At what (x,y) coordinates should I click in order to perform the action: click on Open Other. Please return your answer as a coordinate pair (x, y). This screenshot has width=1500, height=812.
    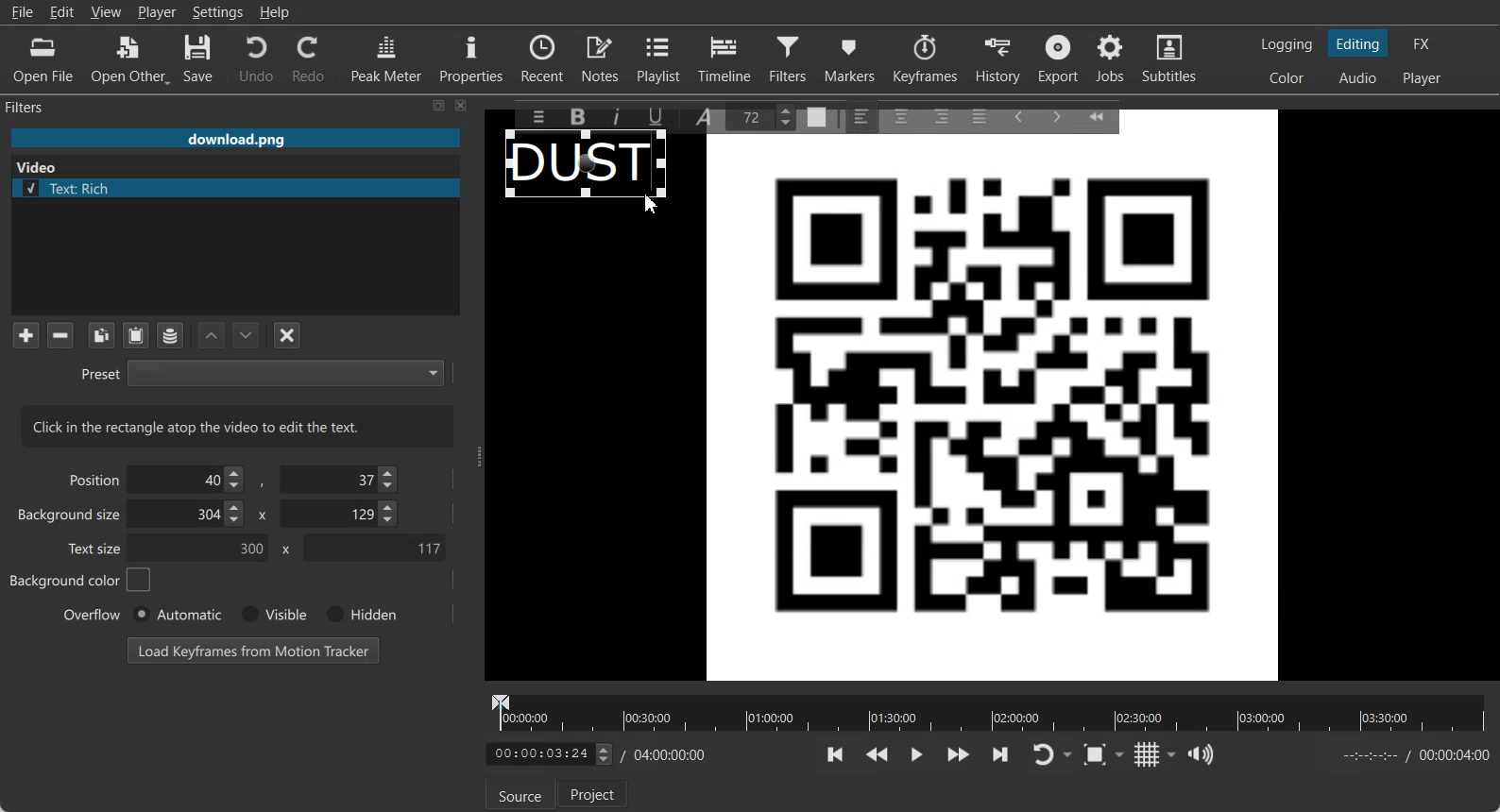
    Looking at the image, I should click on (130, 59).